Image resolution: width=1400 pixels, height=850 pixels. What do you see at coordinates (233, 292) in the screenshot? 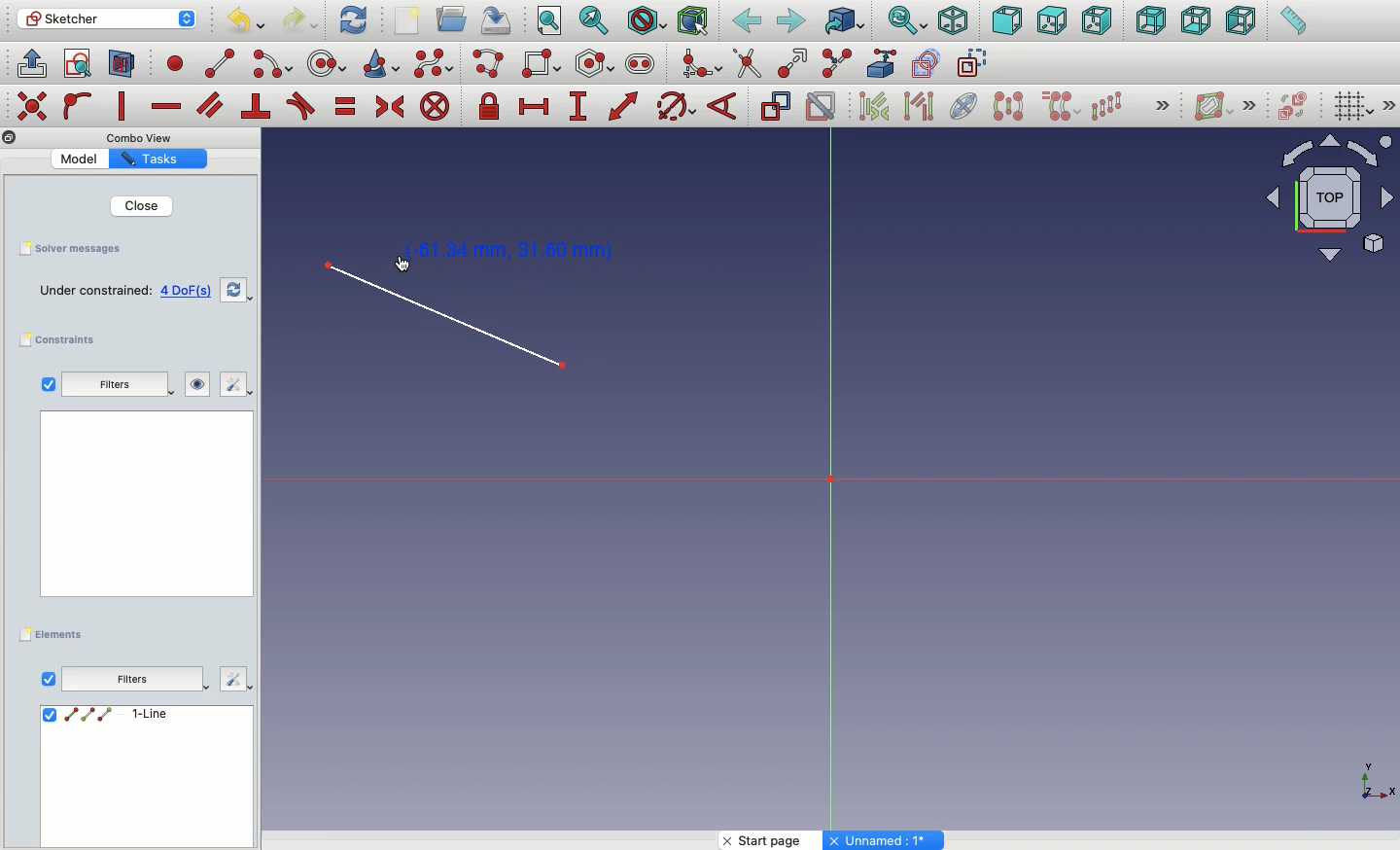
I see `Refresh` at bounding box center [233, 292].